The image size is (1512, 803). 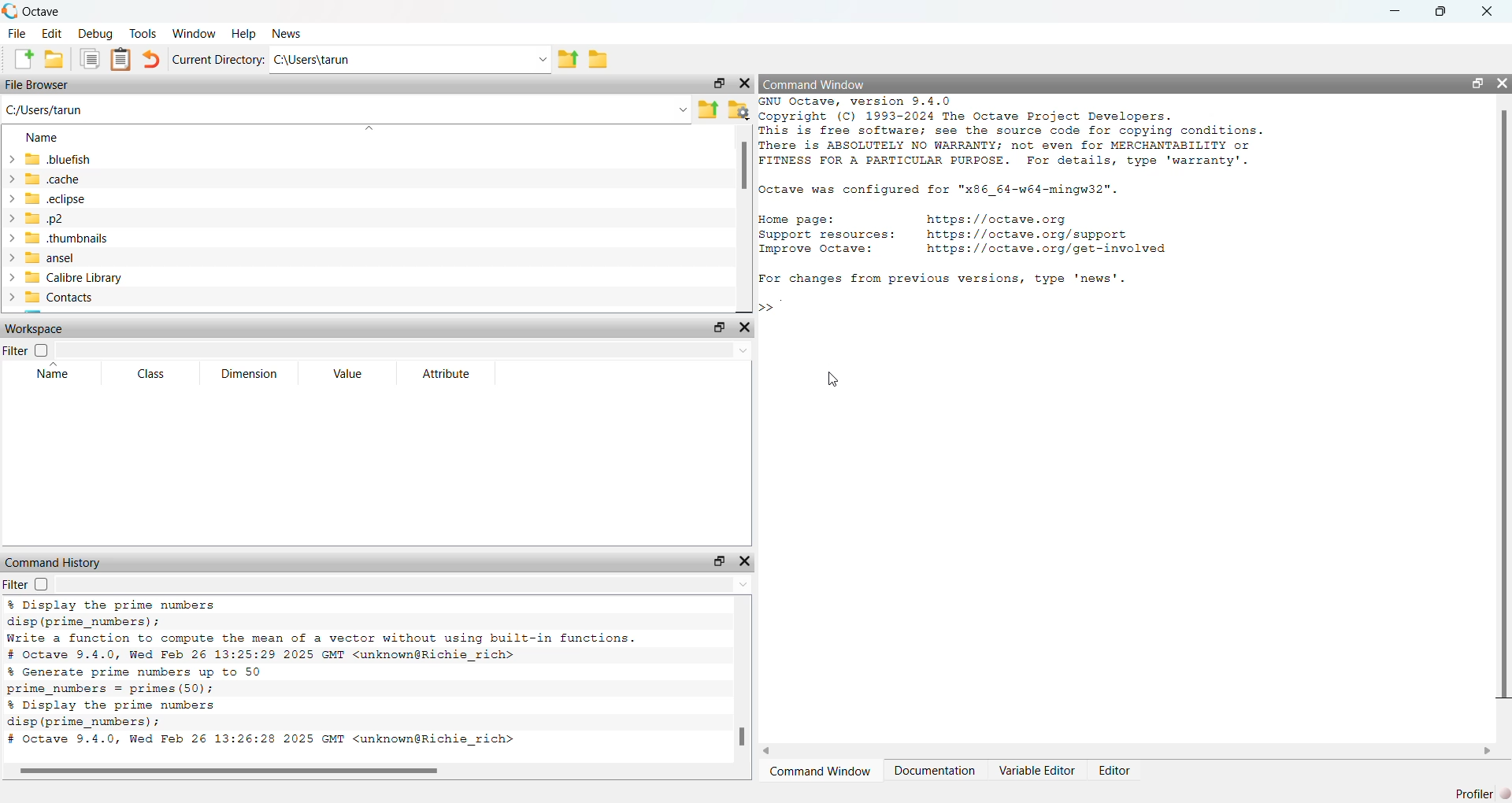 I want to click on For changes from previous versions, type 'news'., so click(x=947, y=280).